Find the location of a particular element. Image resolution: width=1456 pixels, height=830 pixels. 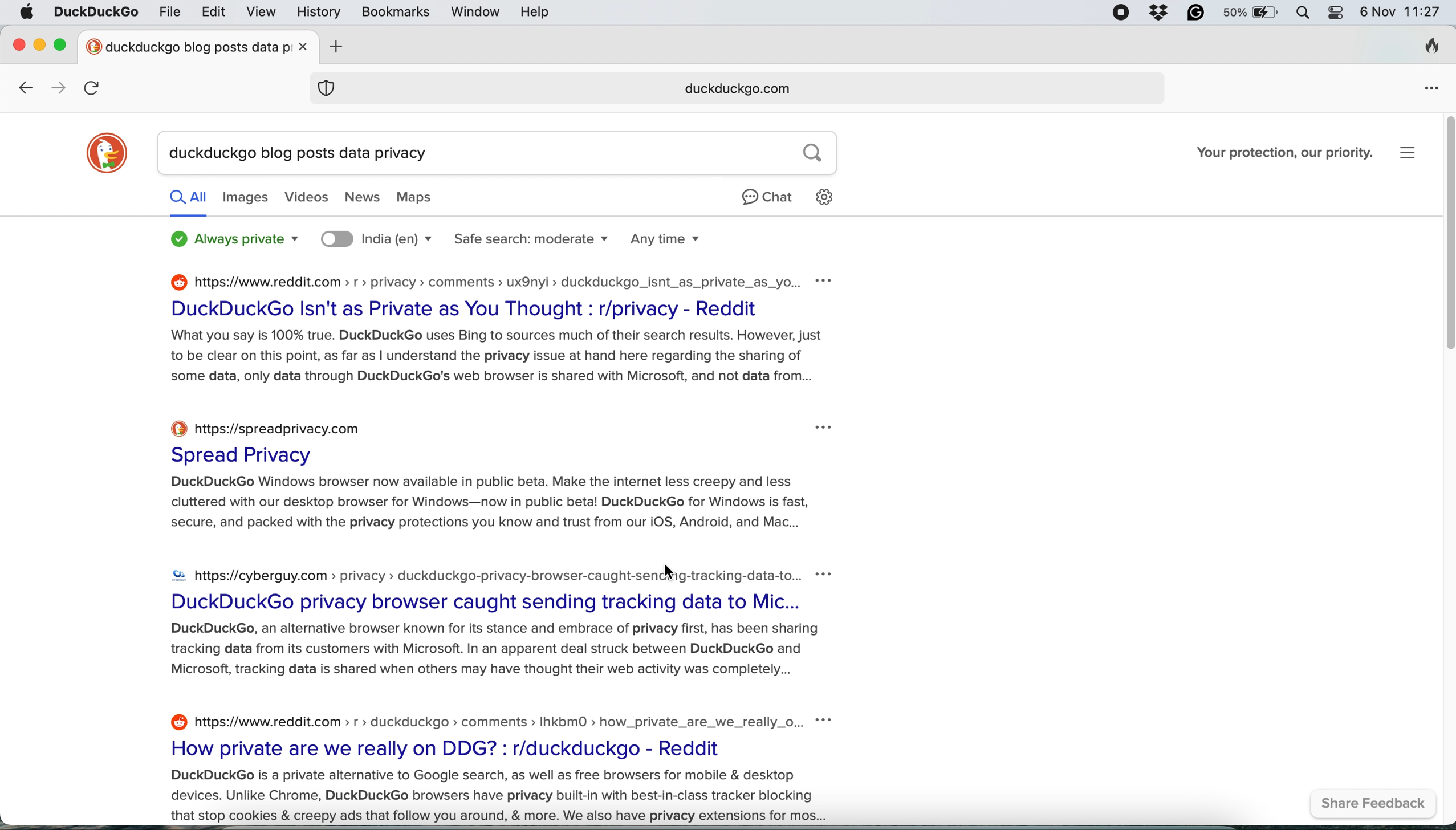

view is located at coordinates (261, 13).